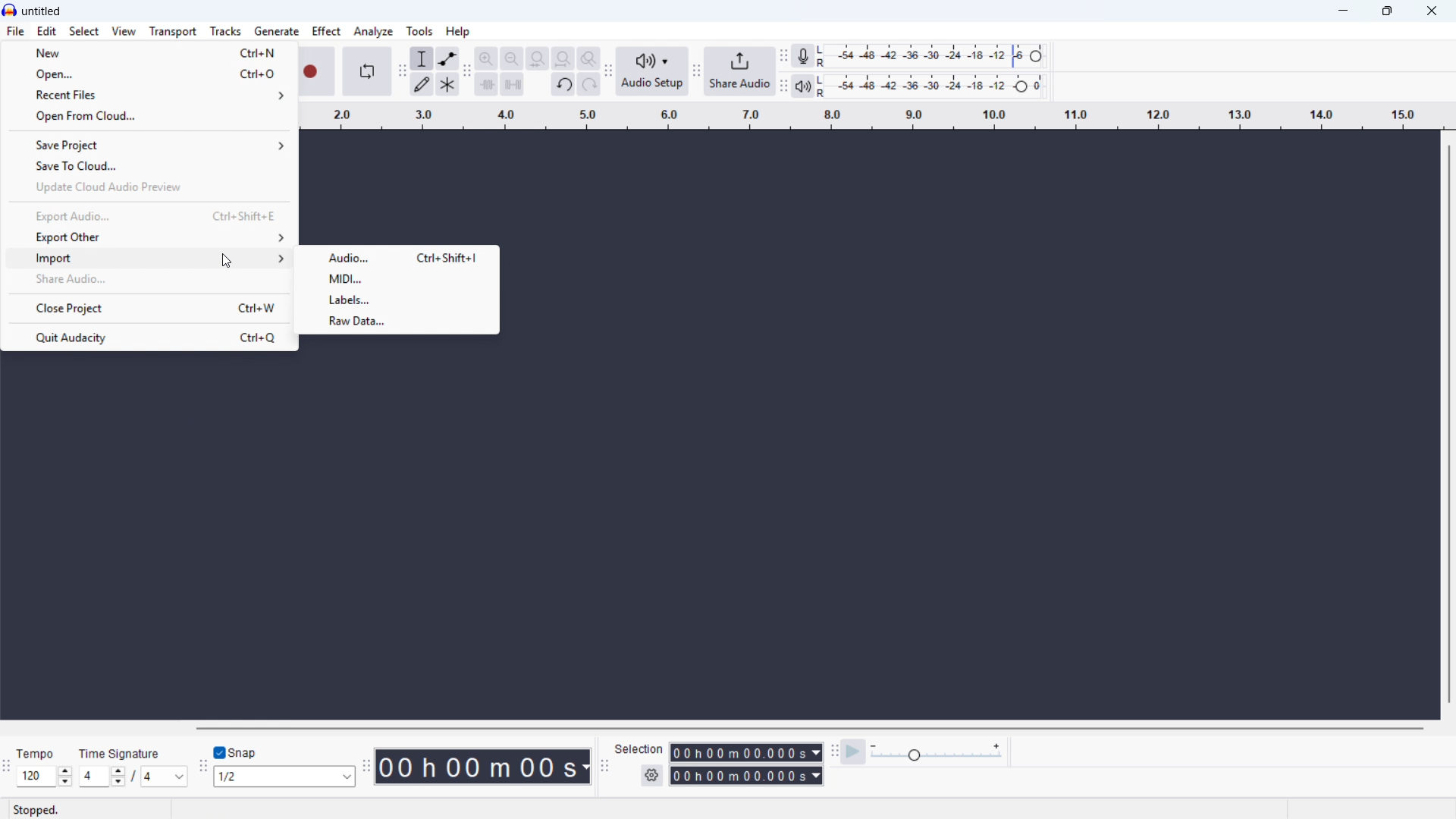  I want to click on Time signature toolbar , so click(8, 767).